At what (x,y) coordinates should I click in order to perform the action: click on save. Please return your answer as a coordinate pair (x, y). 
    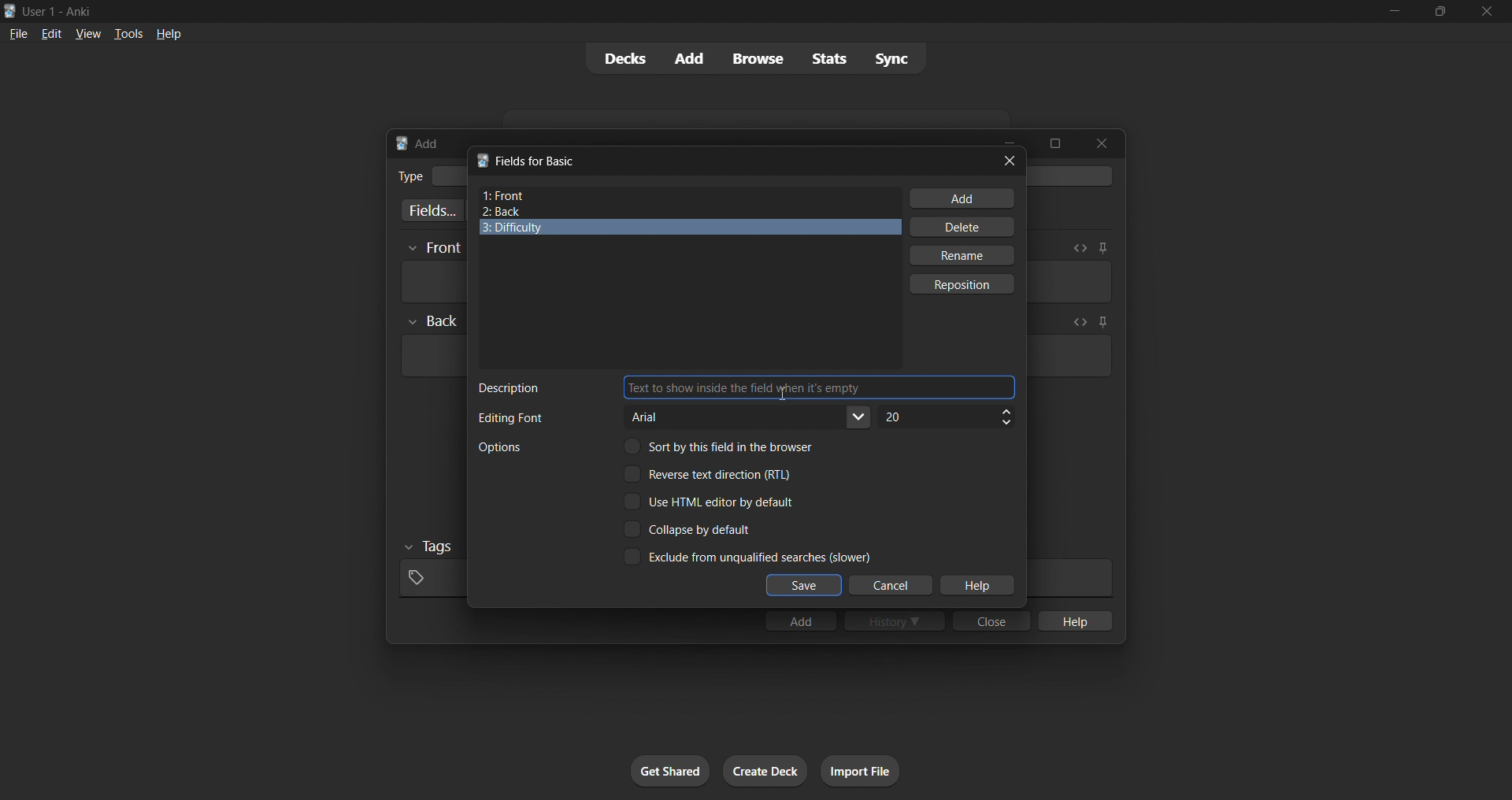
    Looking at the image, I should click on (804, 586).